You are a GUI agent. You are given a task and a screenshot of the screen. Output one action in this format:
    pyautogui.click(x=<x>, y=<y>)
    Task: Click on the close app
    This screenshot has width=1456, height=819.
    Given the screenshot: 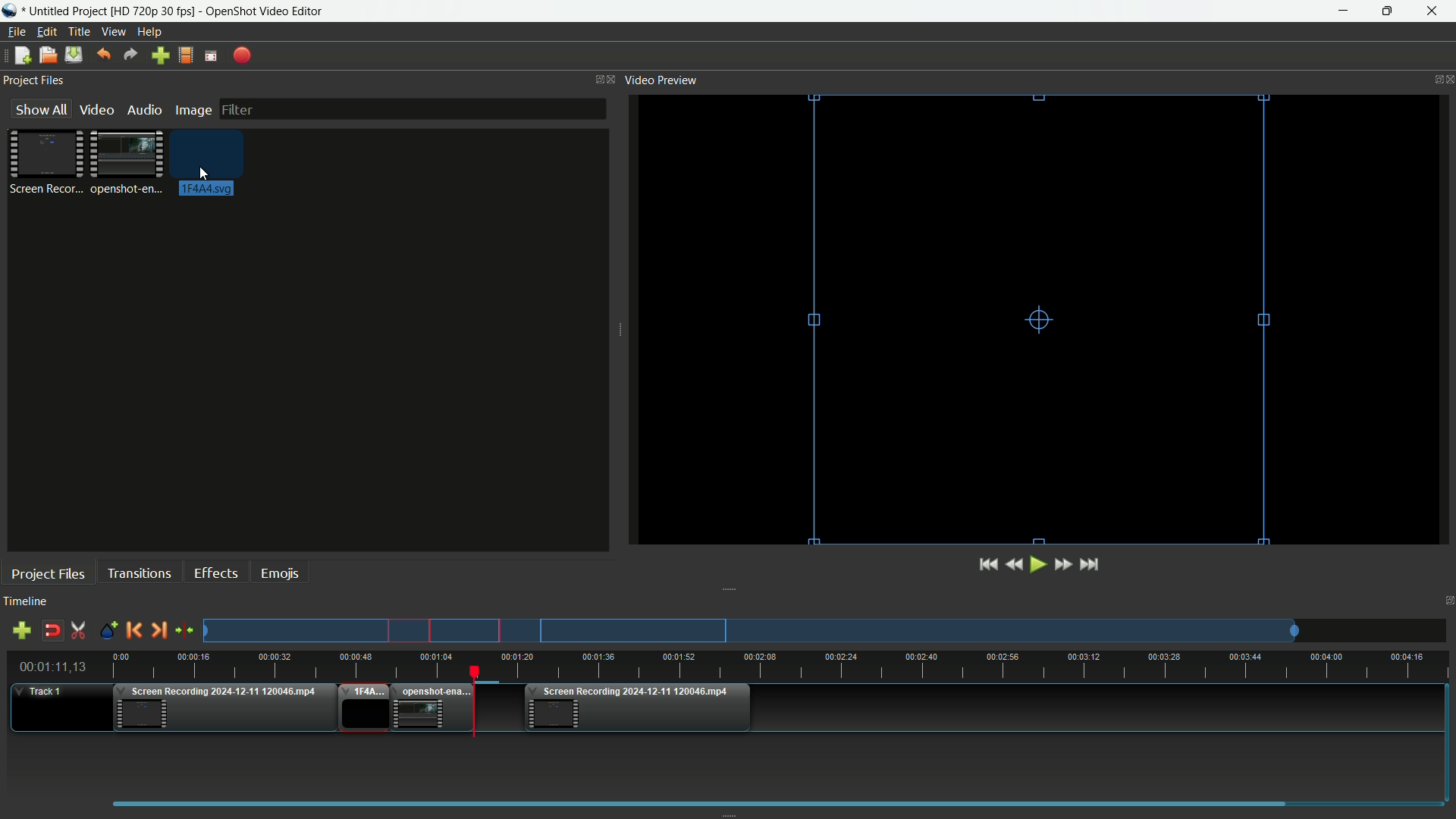 What is the action you would take?
    pyautogui.click(x=1432, y=11)
    